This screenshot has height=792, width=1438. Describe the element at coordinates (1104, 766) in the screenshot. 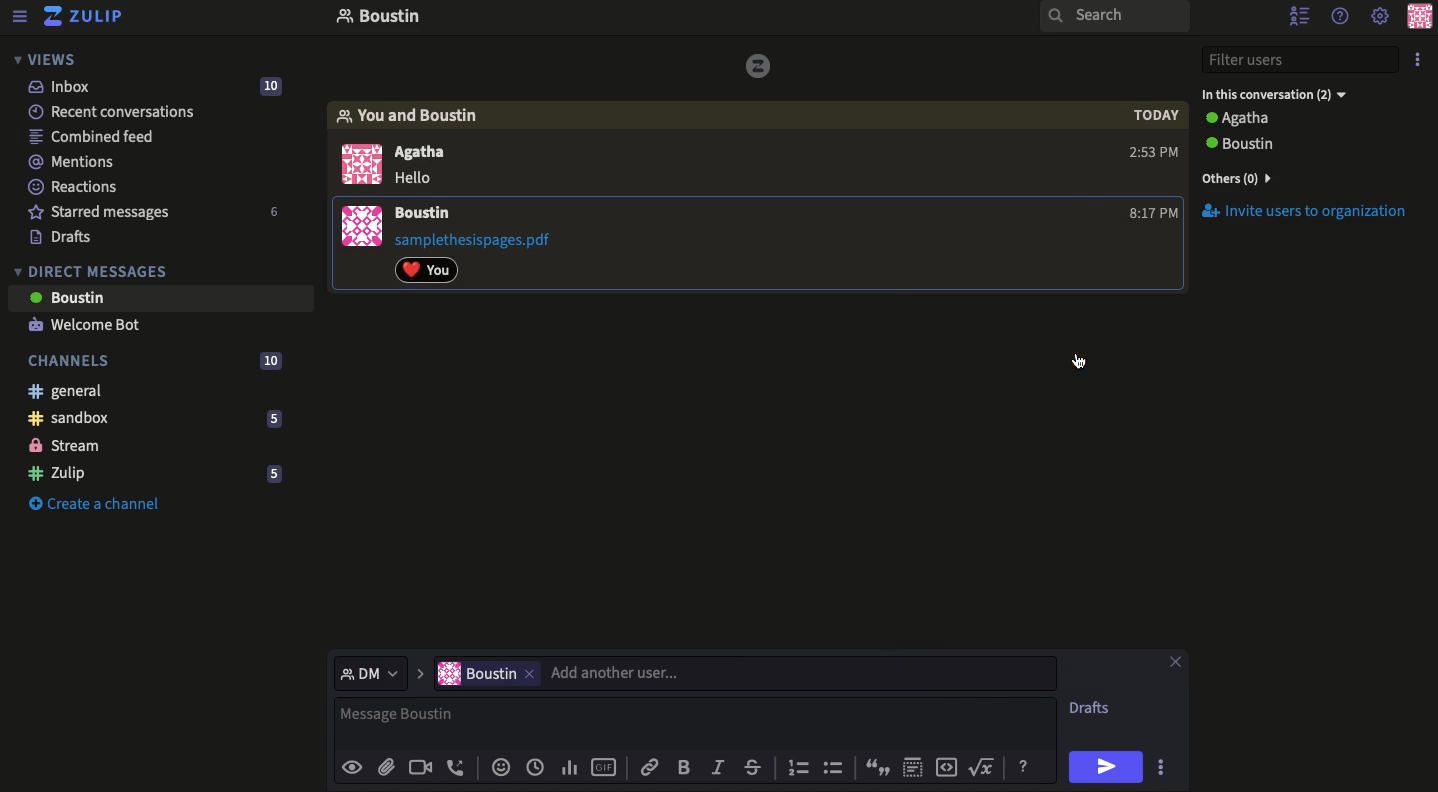

I see `Send` at that location.